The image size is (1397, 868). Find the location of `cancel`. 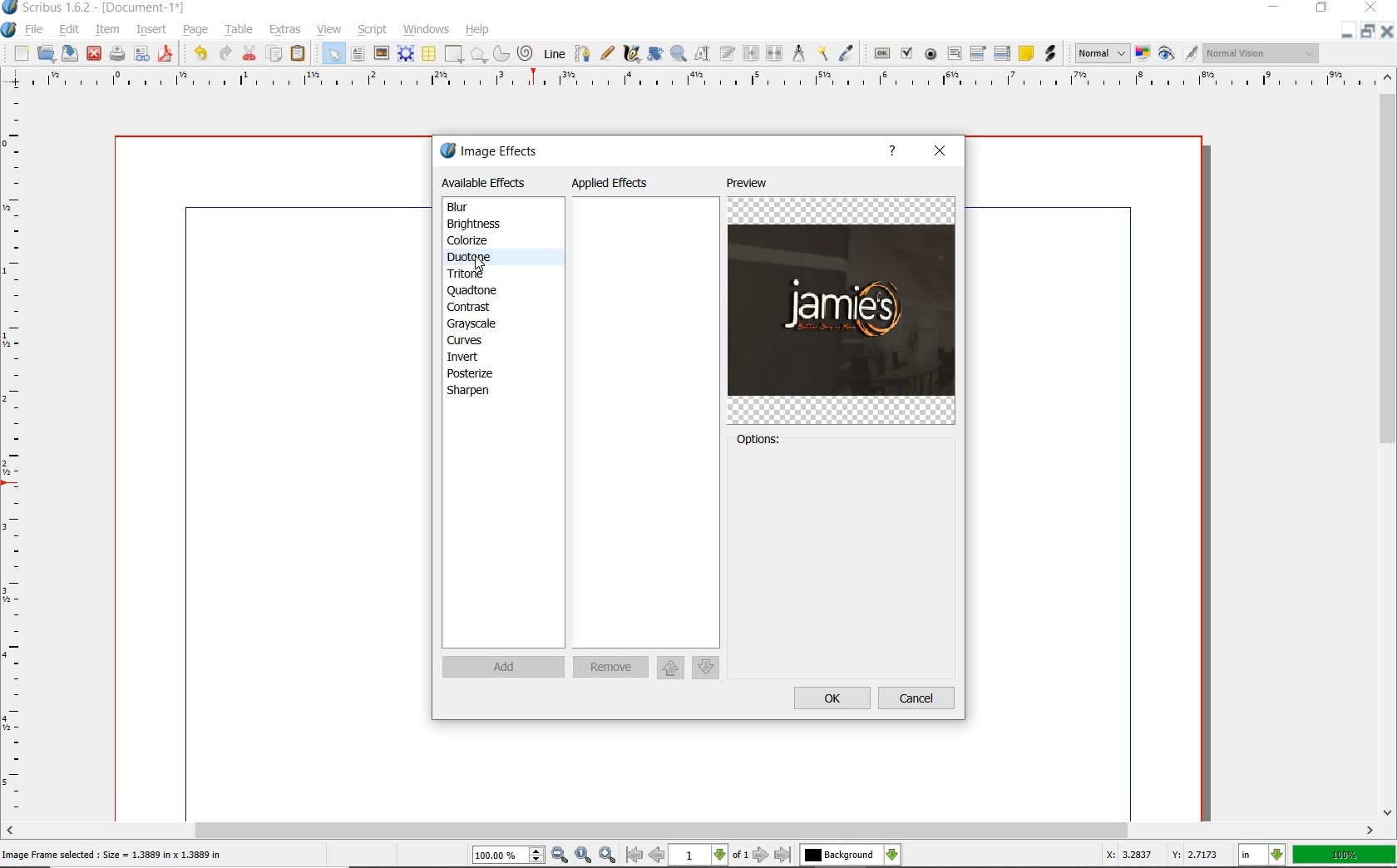

cancel is located at coordinates (914, 697).